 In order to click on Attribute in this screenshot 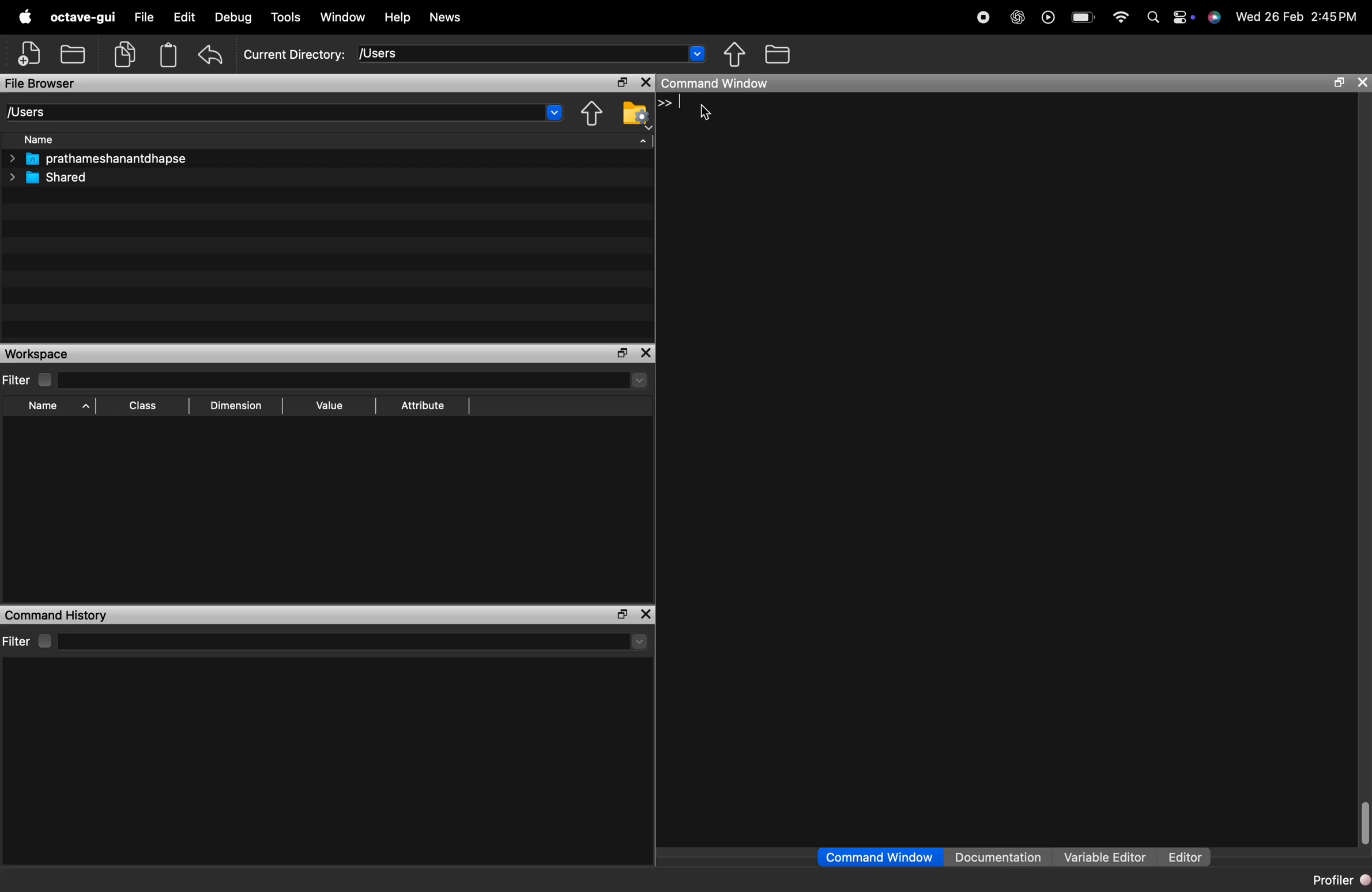, I will do `click(427, 405)`.